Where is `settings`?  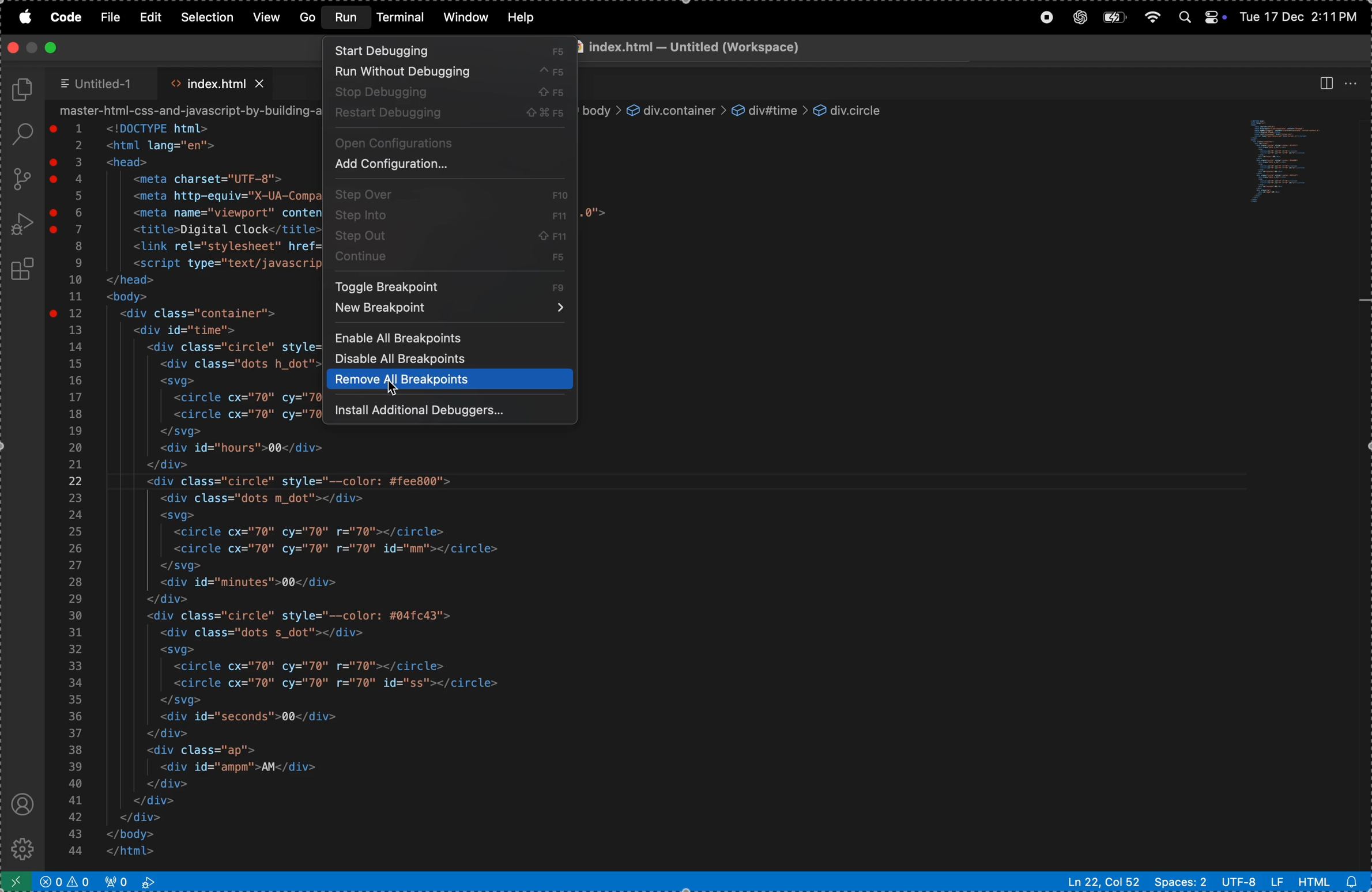 settings is located at coordinates (20, 846).